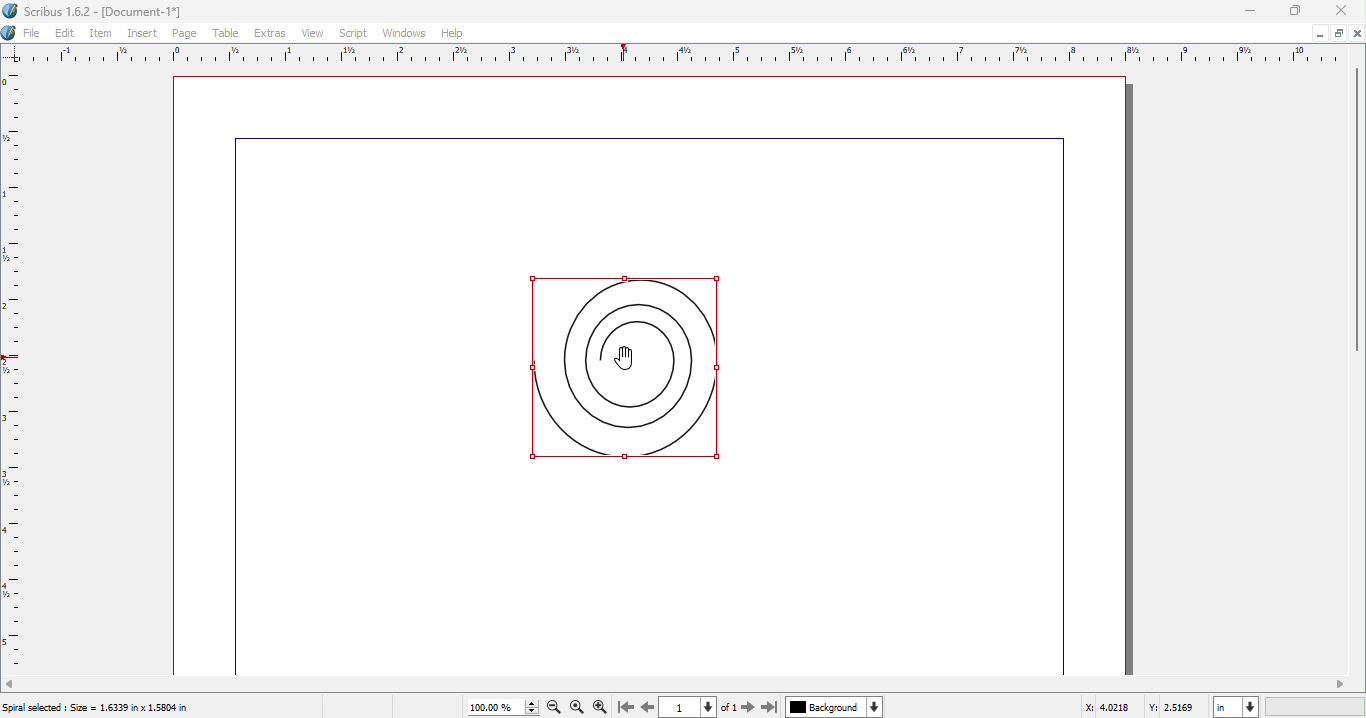 This screenshot has height=718, width=1366. What do you see at coordinates (1342, 11) in the screenshot?
I see `Close` at bounding box center [1342, 11].